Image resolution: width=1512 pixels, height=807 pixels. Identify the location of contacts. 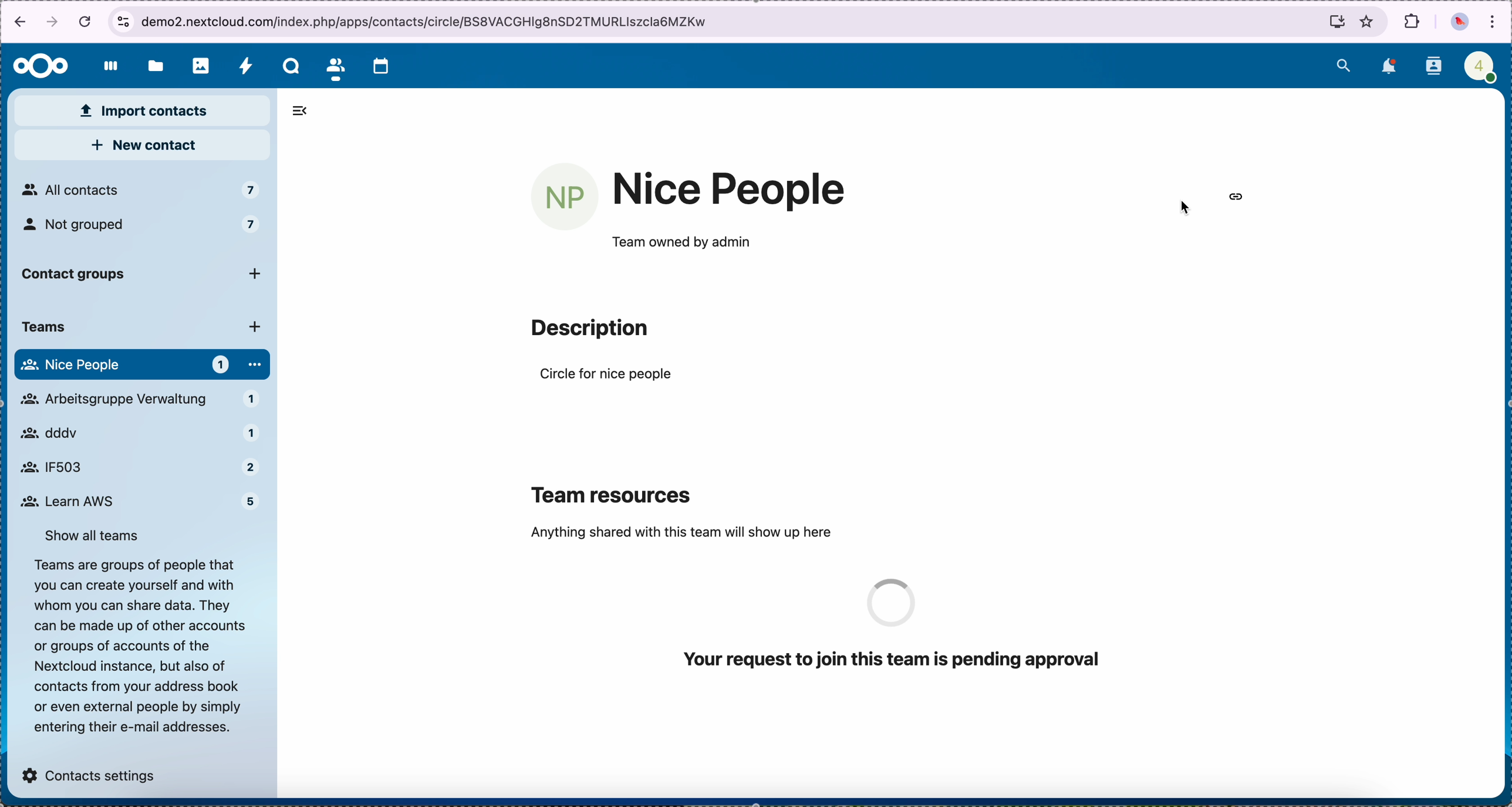
(1433, 66).